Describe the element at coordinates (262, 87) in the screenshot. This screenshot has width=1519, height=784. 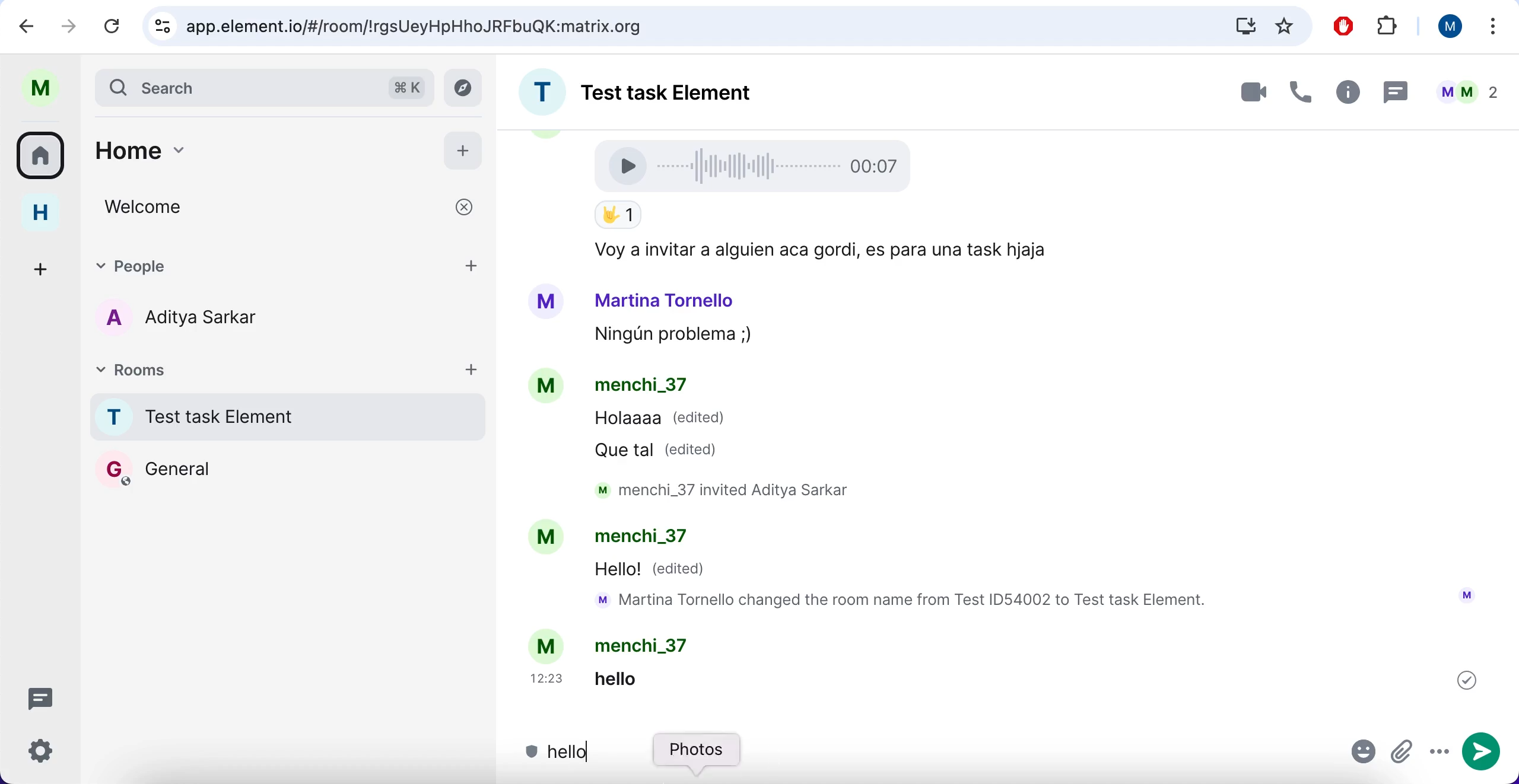
I see `search bar` at that location.